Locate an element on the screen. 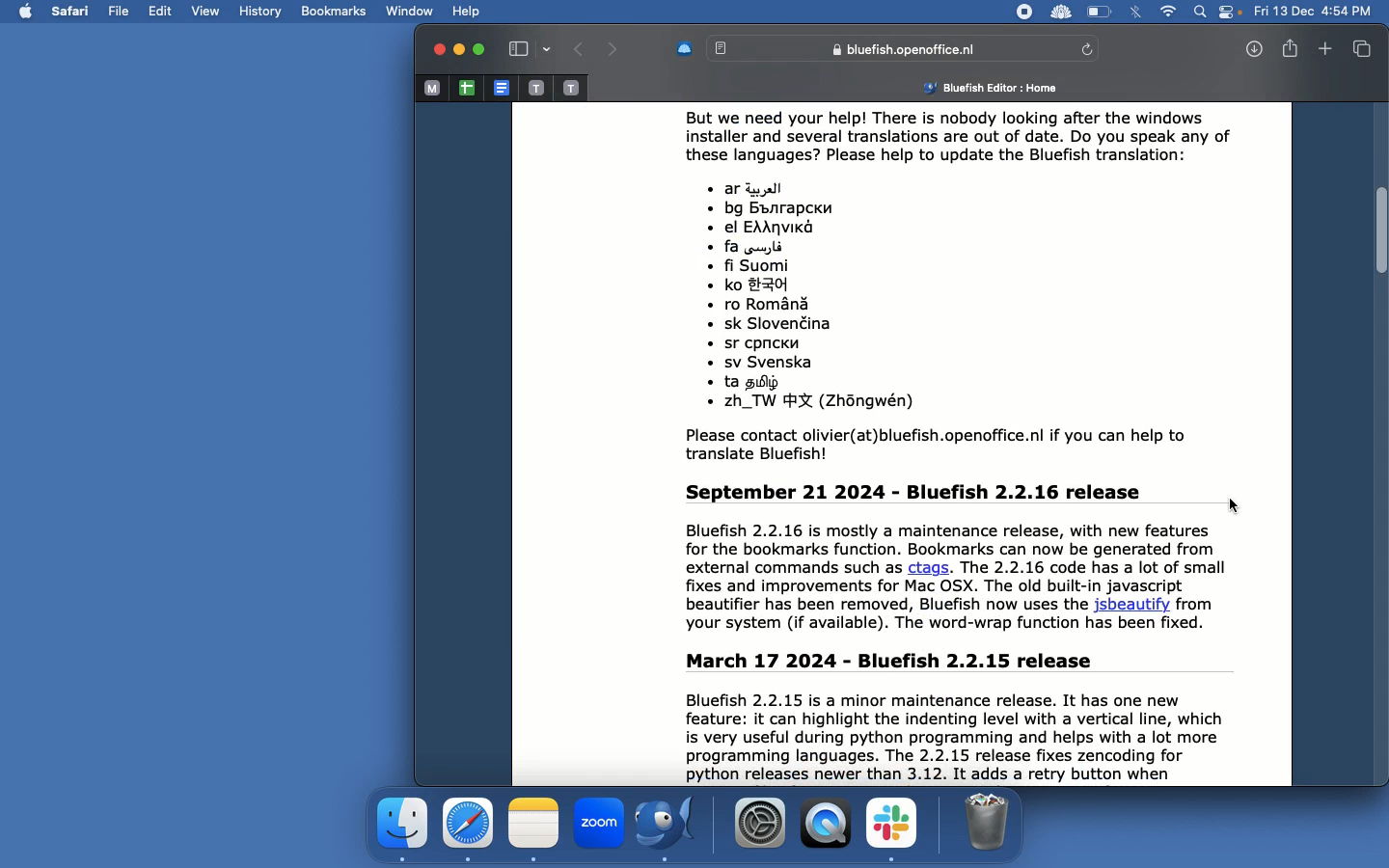 The image size is (1389, 868). Bluefish is located at coordinates (674, 824).